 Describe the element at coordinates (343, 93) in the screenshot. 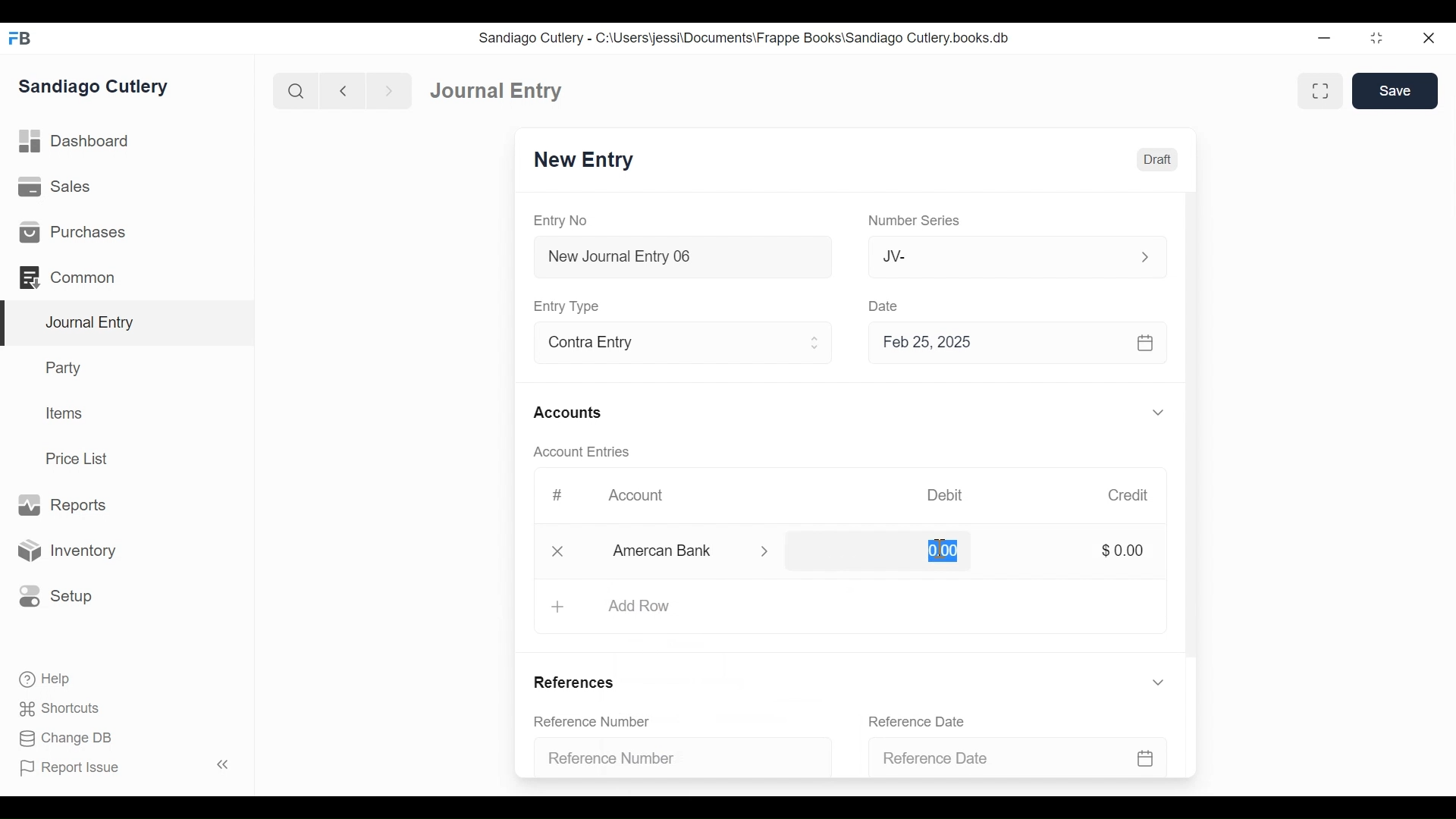

I see `Navigate back` at that location.